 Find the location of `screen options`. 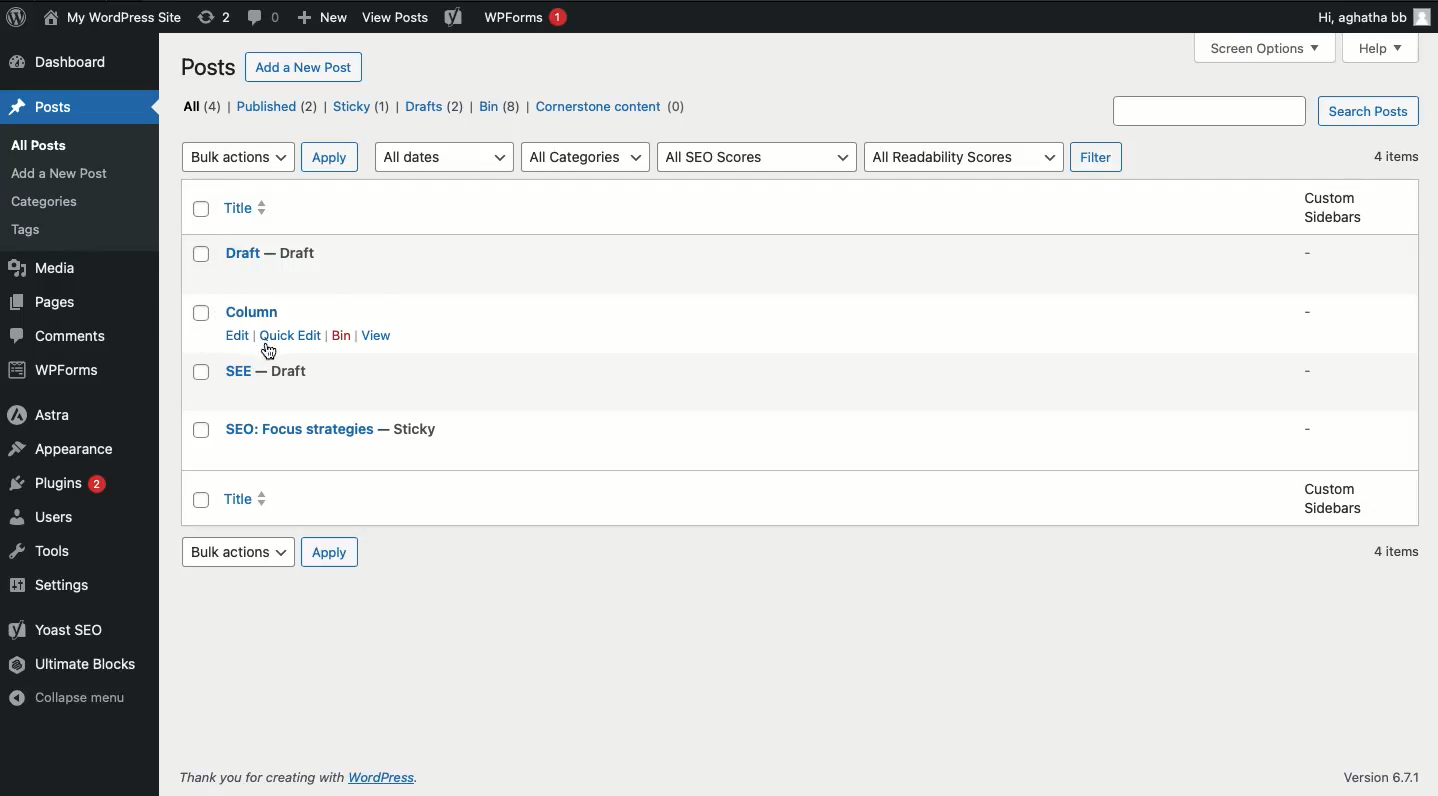

screen options is located at coordinates (1266, 48).